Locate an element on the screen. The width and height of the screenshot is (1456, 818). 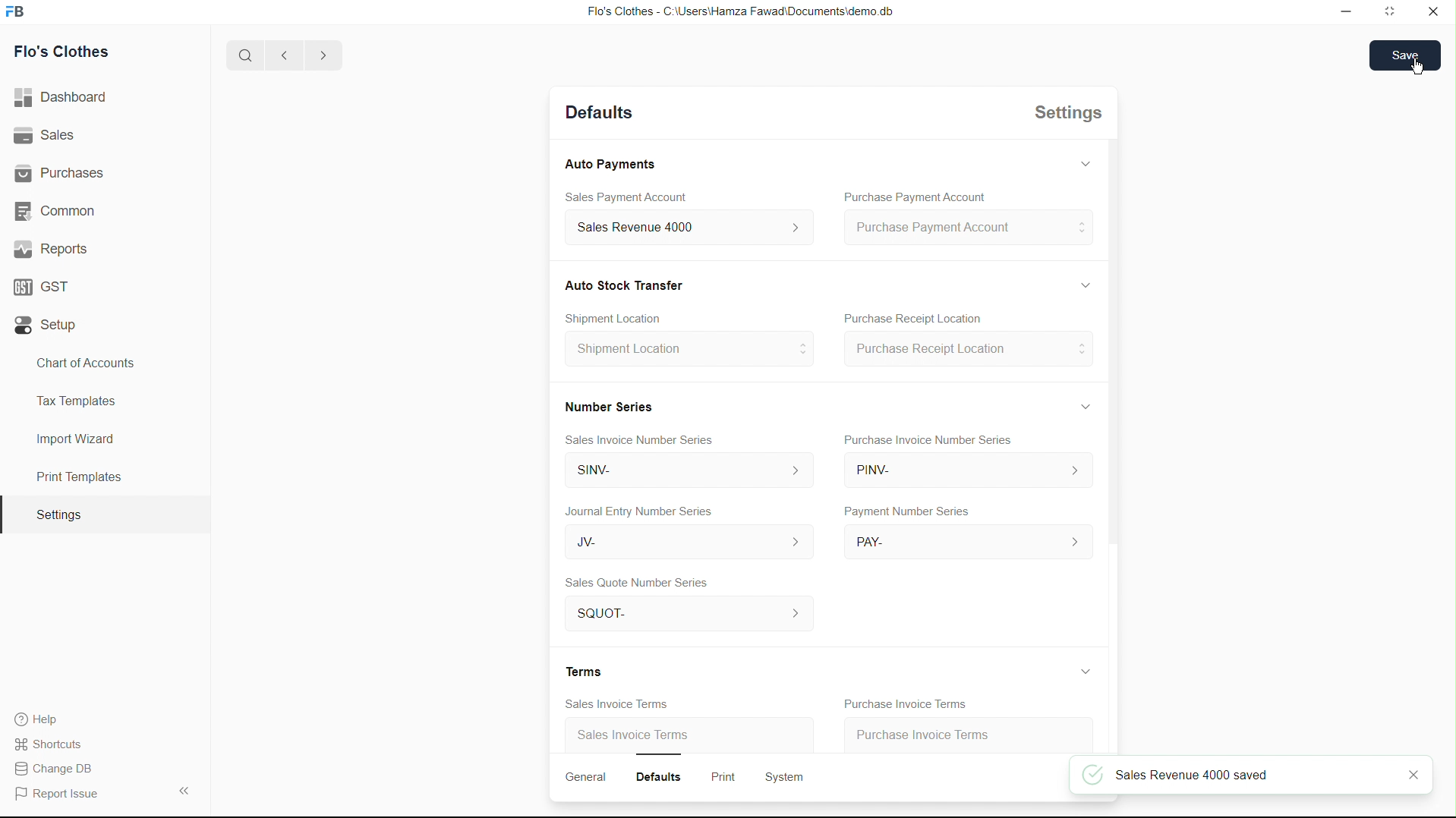
Journal Entry Number Series is located at coordinates (647, 511).